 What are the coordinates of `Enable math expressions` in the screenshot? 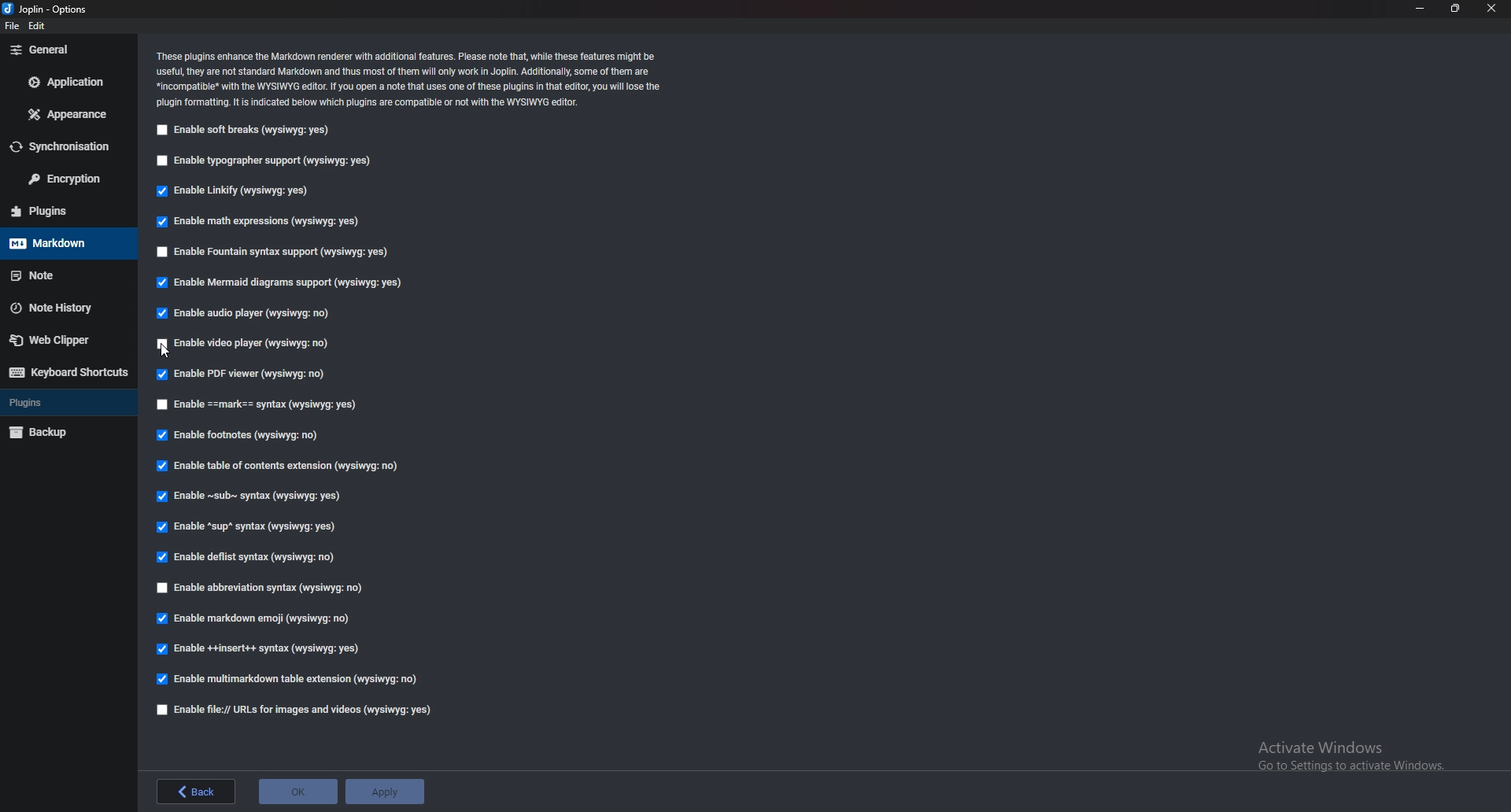 It's located at (266, 220).